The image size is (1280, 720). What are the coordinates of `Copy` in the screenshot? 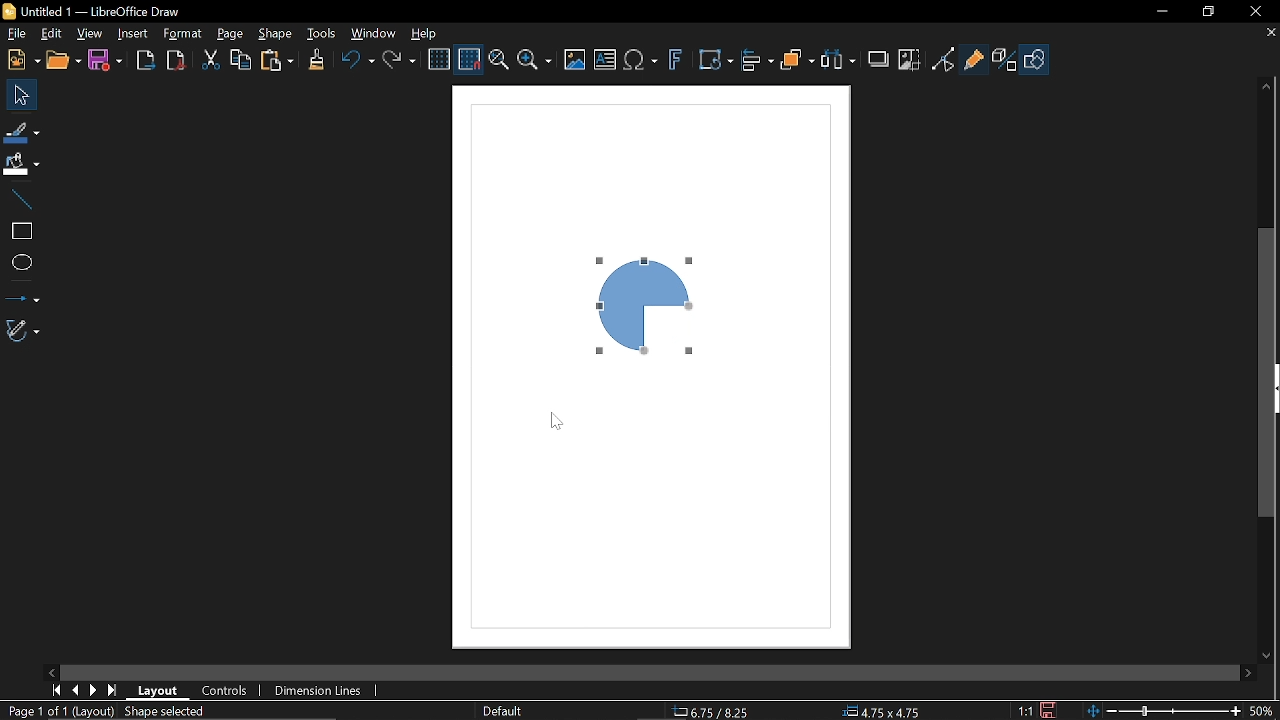 It's located at (241, 59).